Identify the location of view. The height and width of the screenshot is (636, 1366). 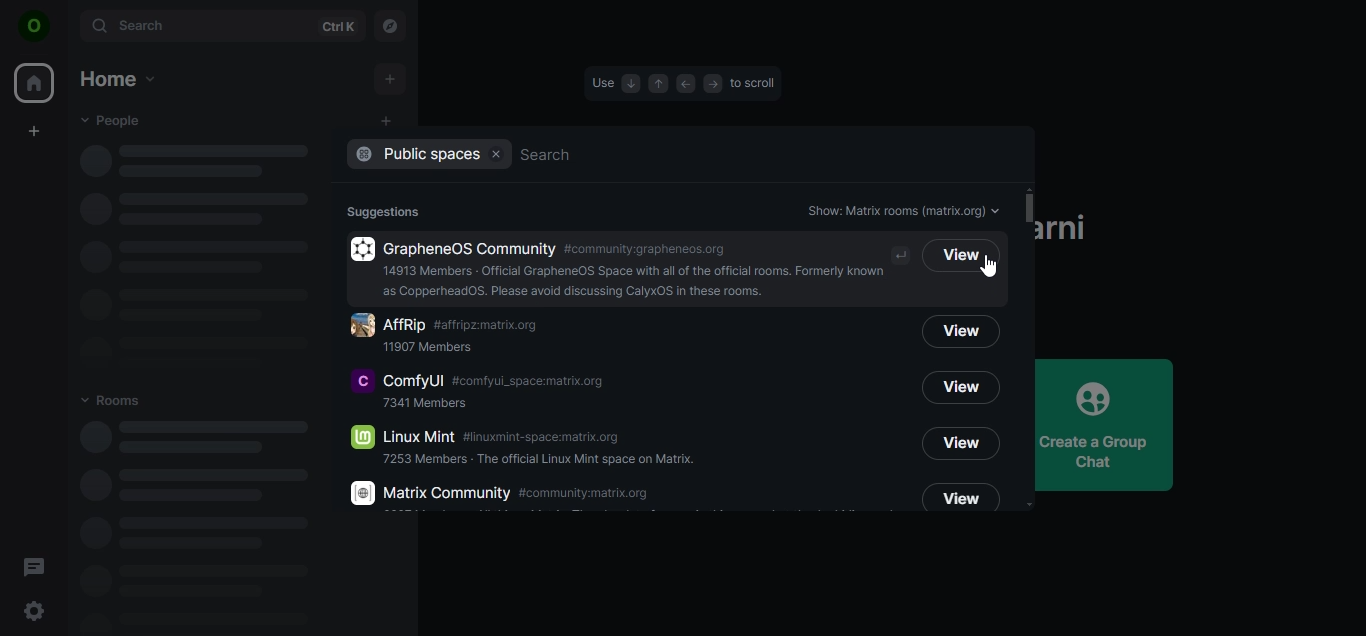
(964, 389).